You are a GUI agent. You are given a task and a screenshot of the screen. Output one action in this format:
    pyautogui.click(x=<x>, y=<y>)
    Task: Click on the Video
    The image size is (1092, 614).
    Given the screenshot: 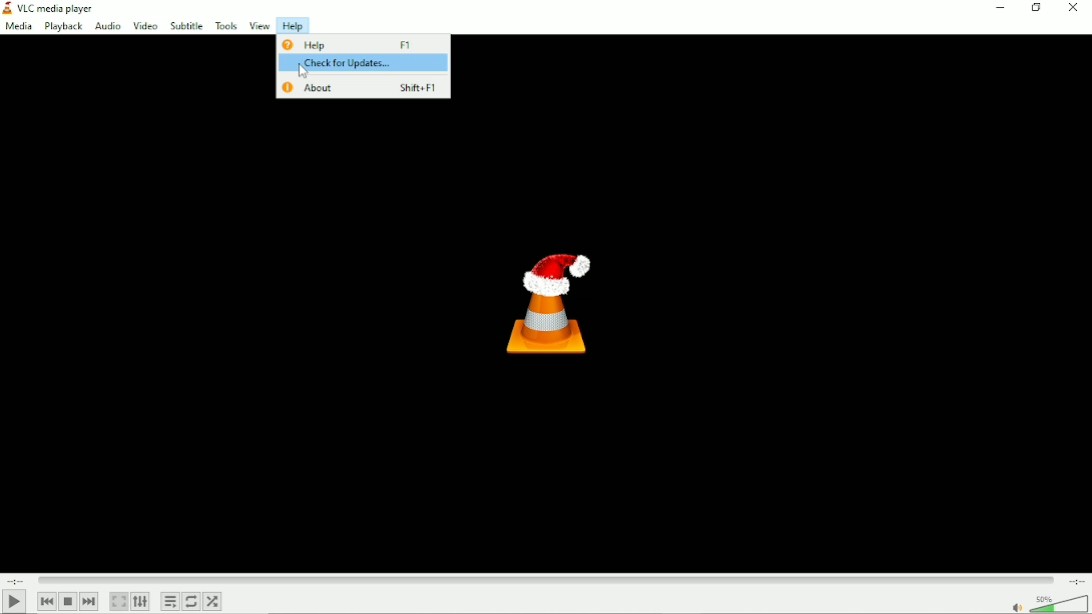 What is the action you would take?
    pyautogui.click(x=147, y=25)
    